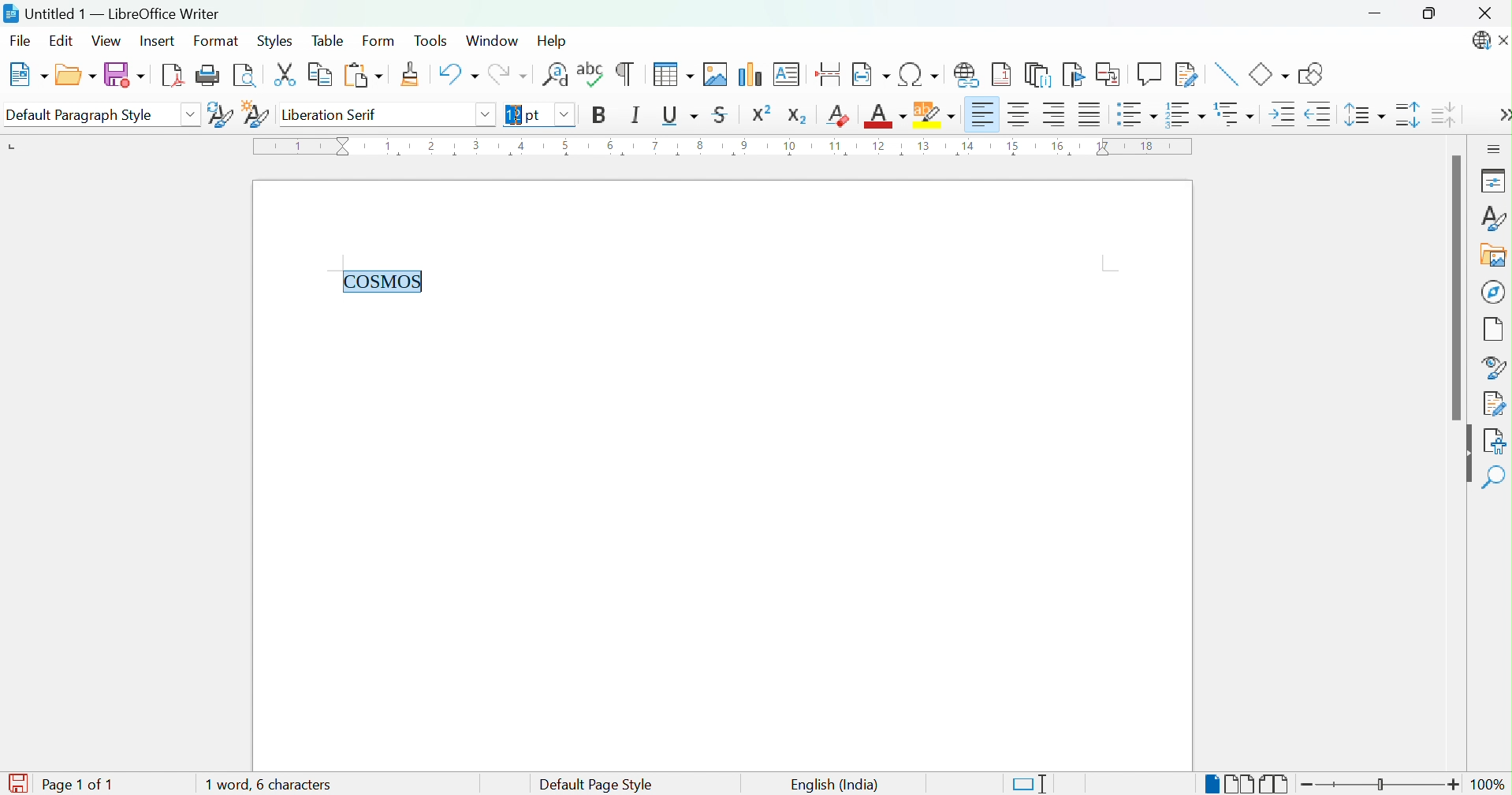 The height and width of the screenshot is (795, 1512). What do you see at coordinates (1492, 180) in the screenshot?
I see `Properties` at bounding box center [1492, 180].